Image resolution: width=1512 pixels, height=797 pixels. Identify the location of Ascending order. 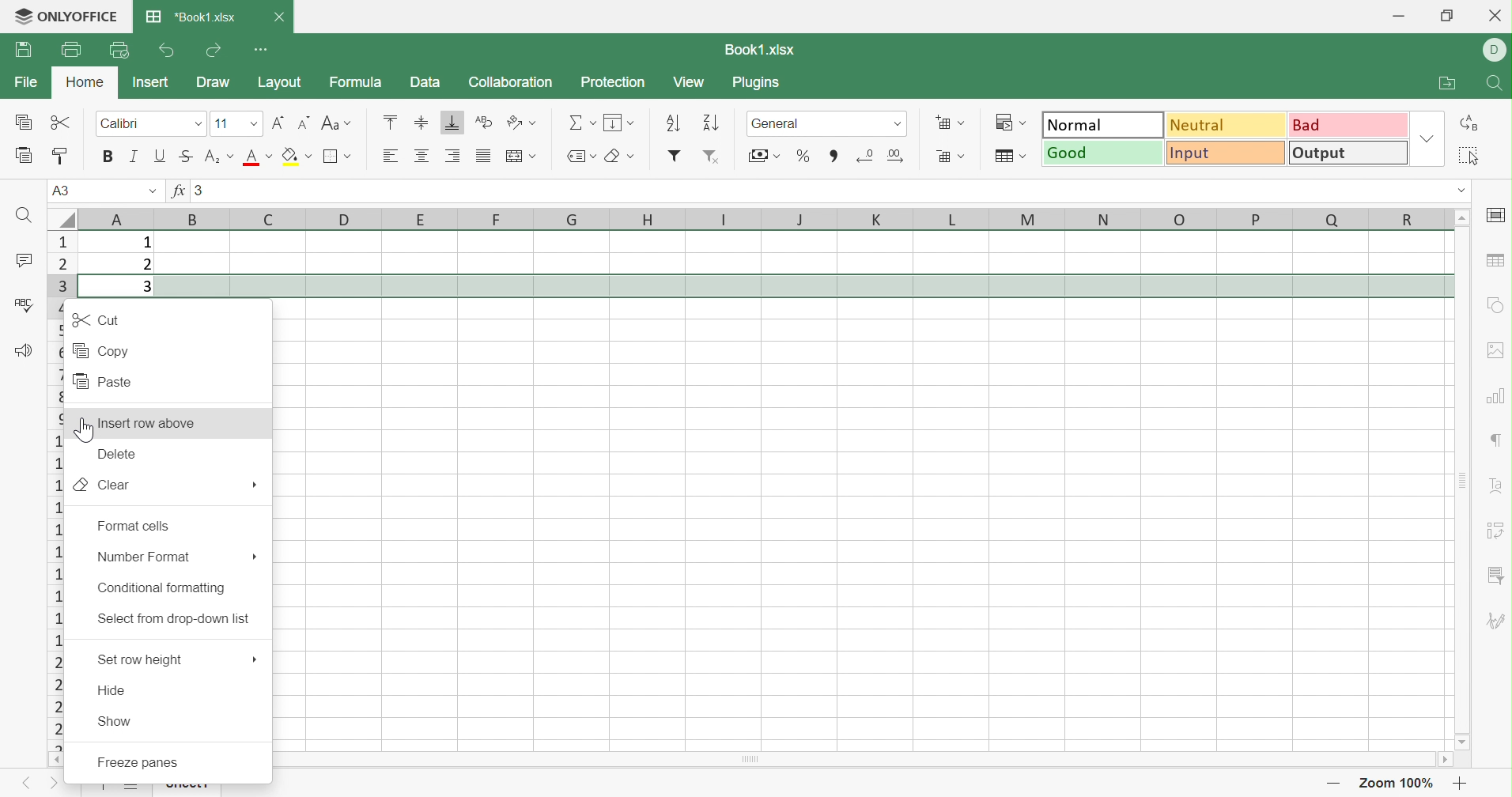
(672, 121).